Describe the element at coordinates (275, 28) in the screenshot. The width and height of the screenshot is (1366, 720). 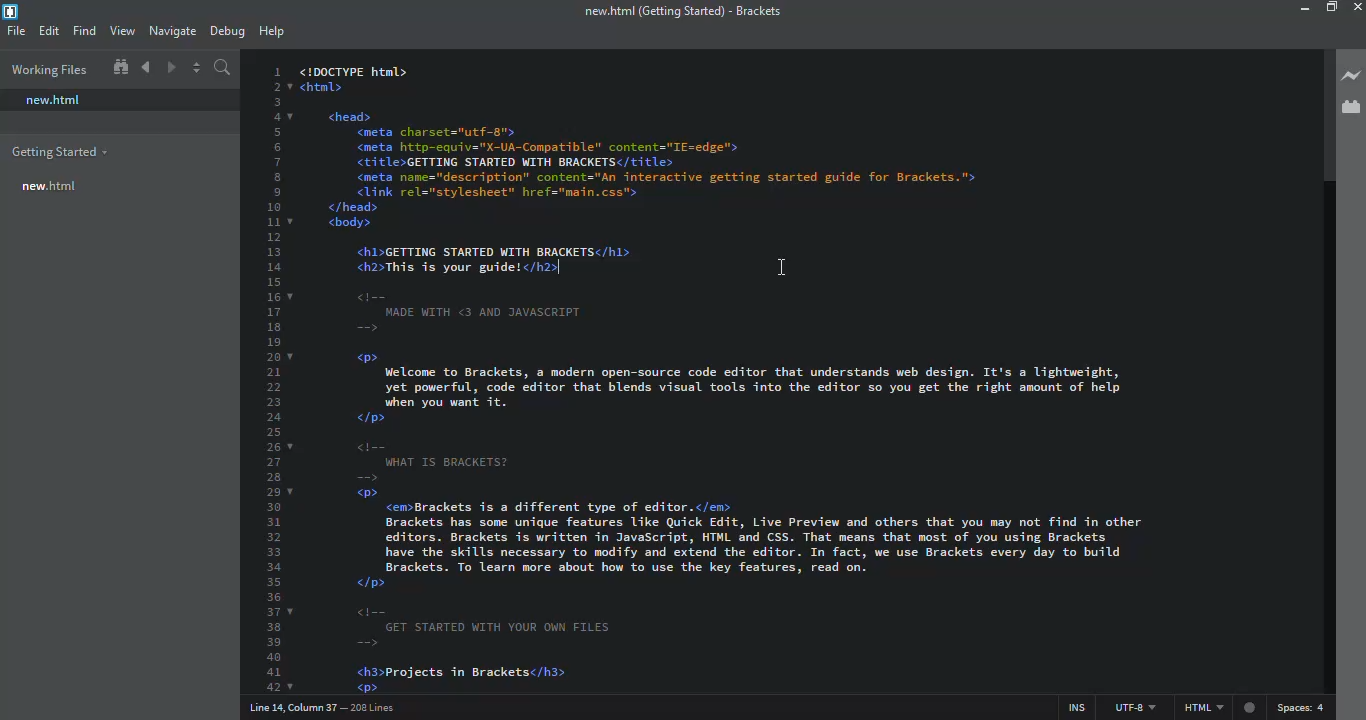
I see `help` at that location.